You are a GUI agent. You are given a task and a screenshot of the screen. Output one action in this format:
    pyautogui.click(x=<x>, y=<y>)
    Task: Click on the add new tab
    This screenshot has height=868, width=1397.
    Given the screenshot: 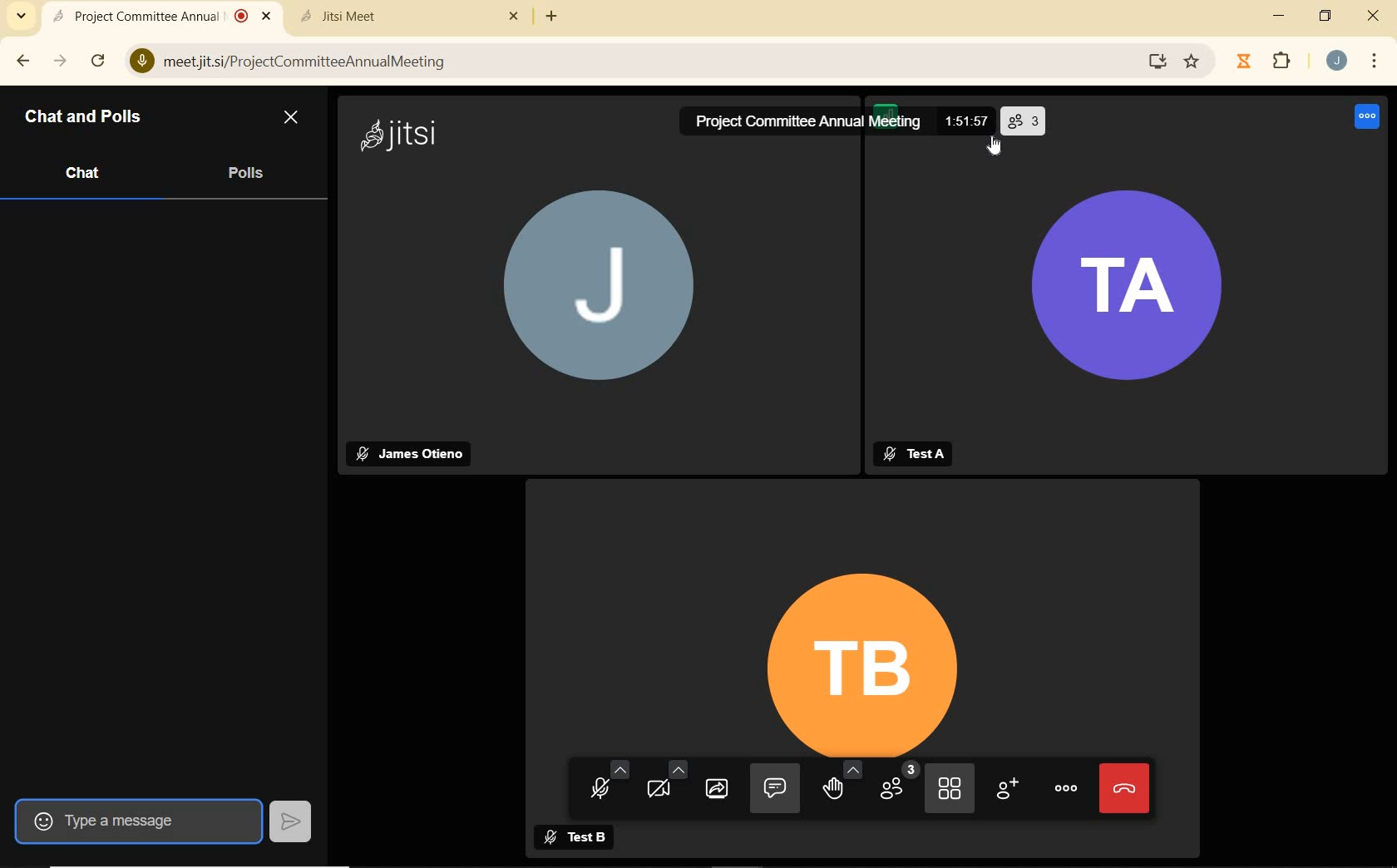 What is the action you would take?
    pyautogui.click(x=555, y=17)
    